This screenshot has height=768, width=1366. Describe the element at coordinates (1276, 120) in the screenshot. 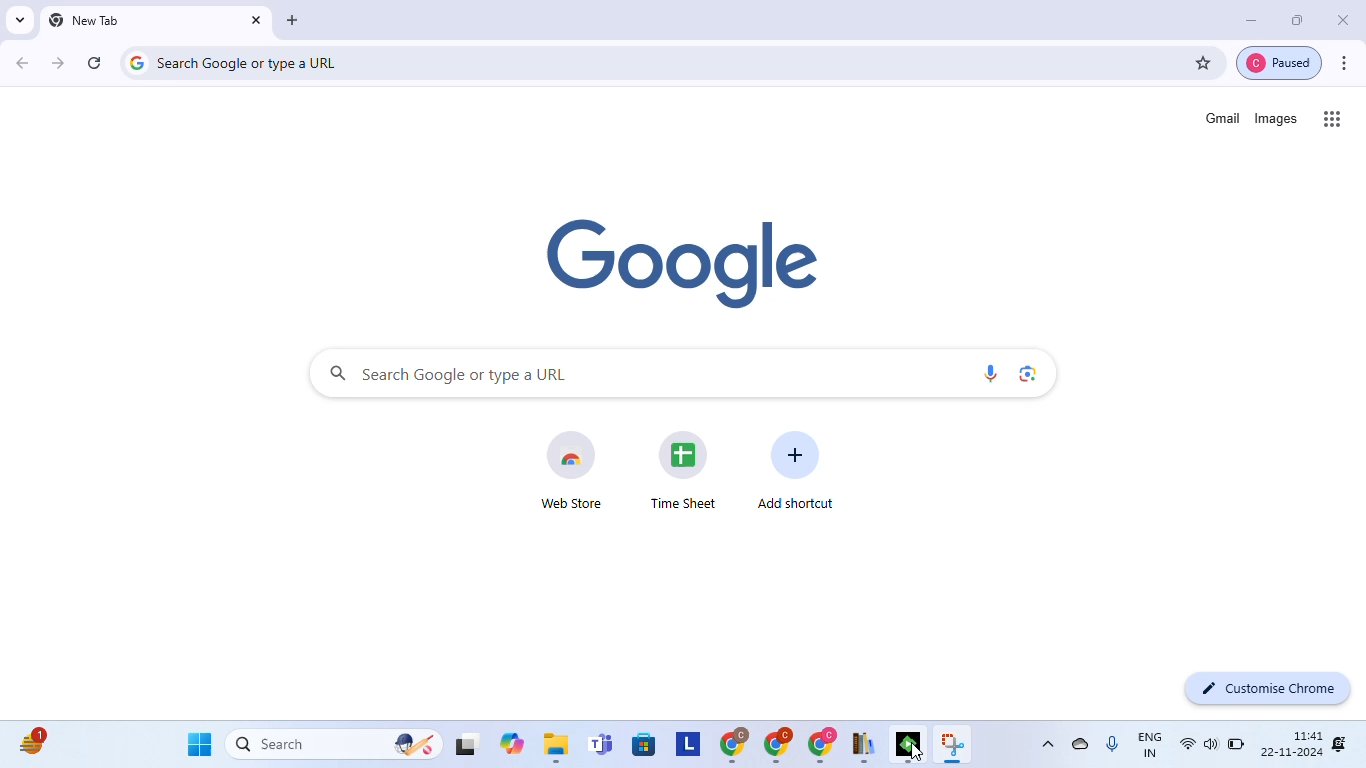

I see `images` at that location.